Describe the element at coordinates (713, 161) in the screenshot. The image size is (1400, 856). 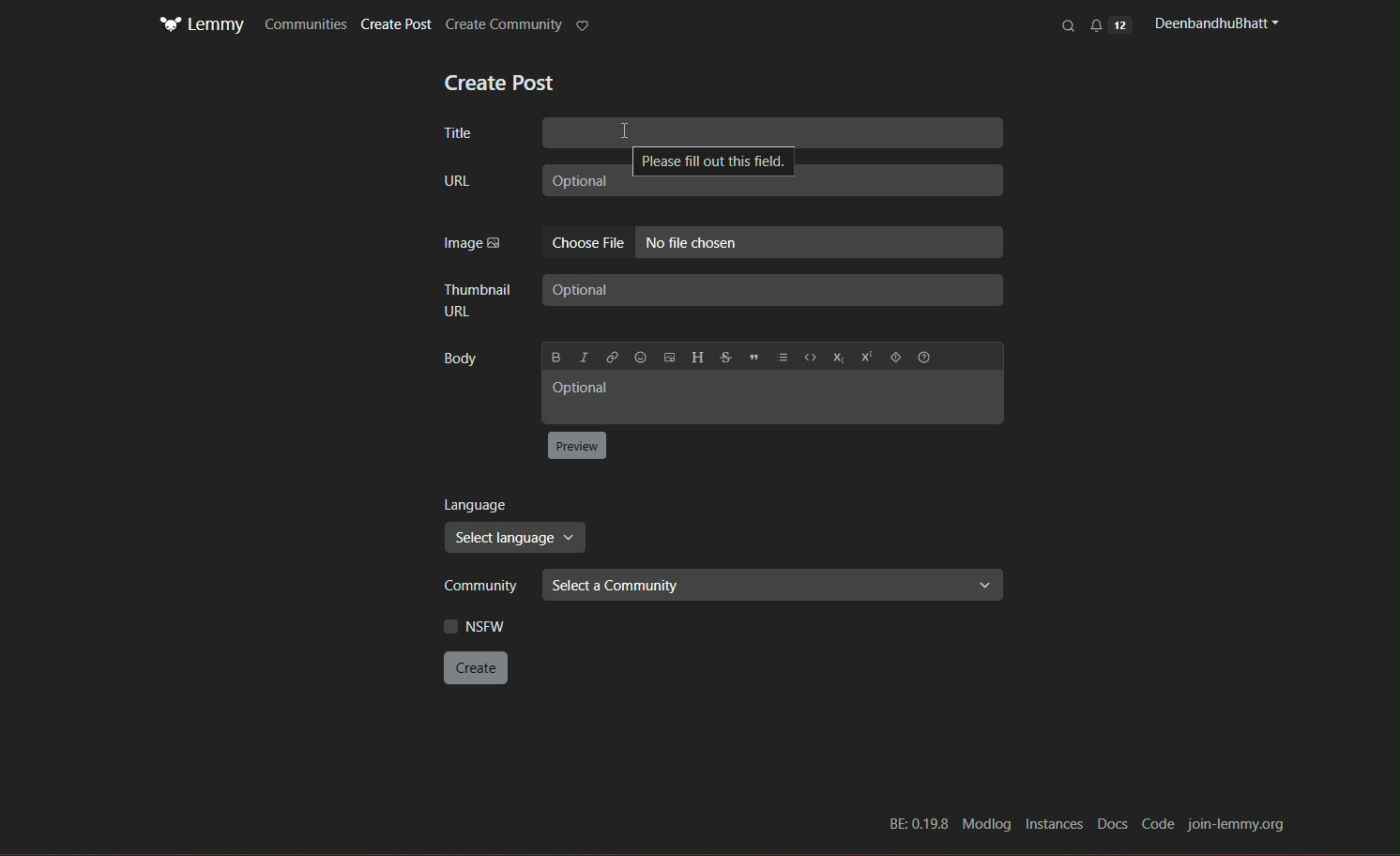
I see `Please fill out this field.` at that location.